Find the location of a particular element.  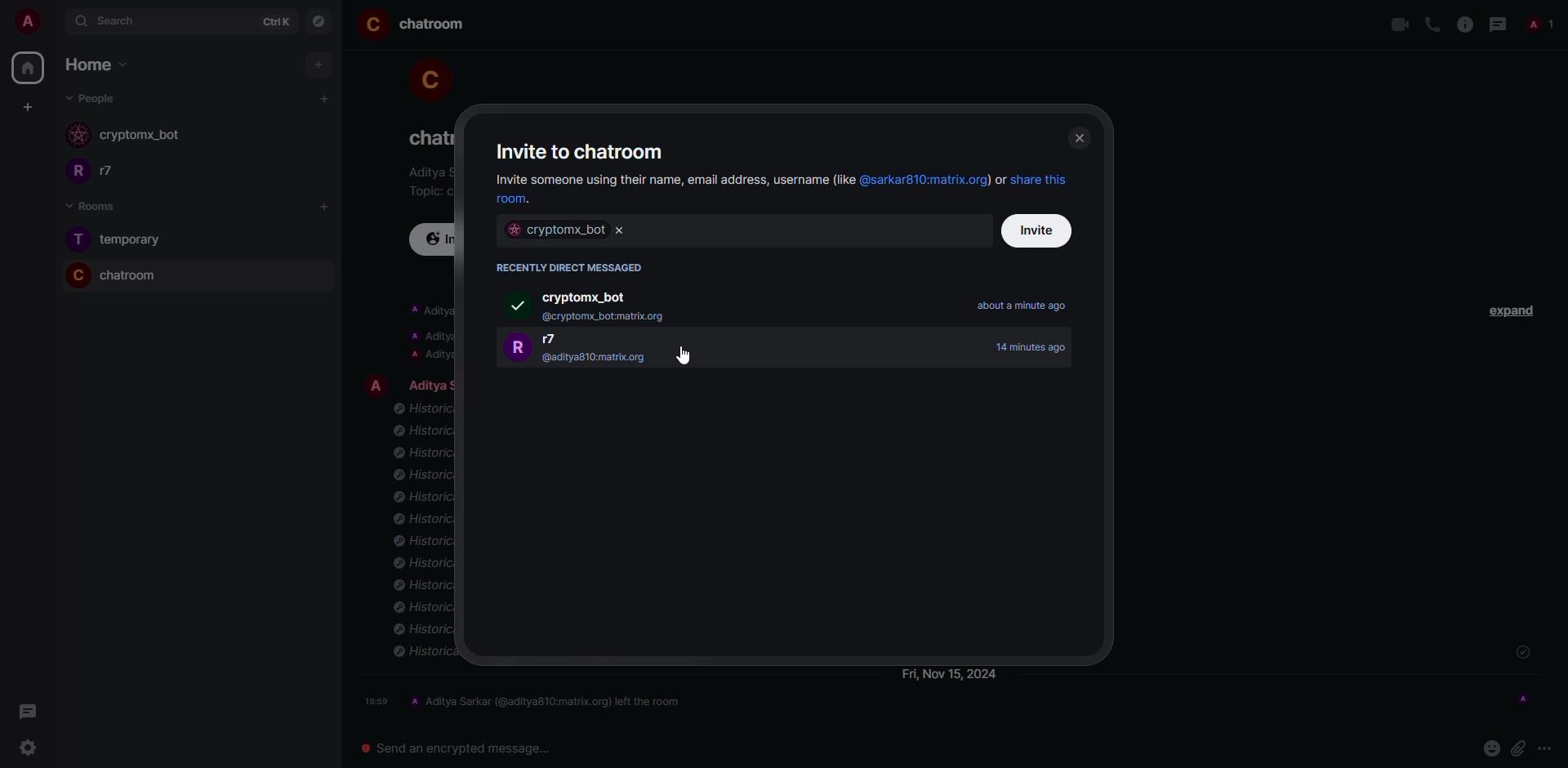

profile is located at coordinates (376, 384).